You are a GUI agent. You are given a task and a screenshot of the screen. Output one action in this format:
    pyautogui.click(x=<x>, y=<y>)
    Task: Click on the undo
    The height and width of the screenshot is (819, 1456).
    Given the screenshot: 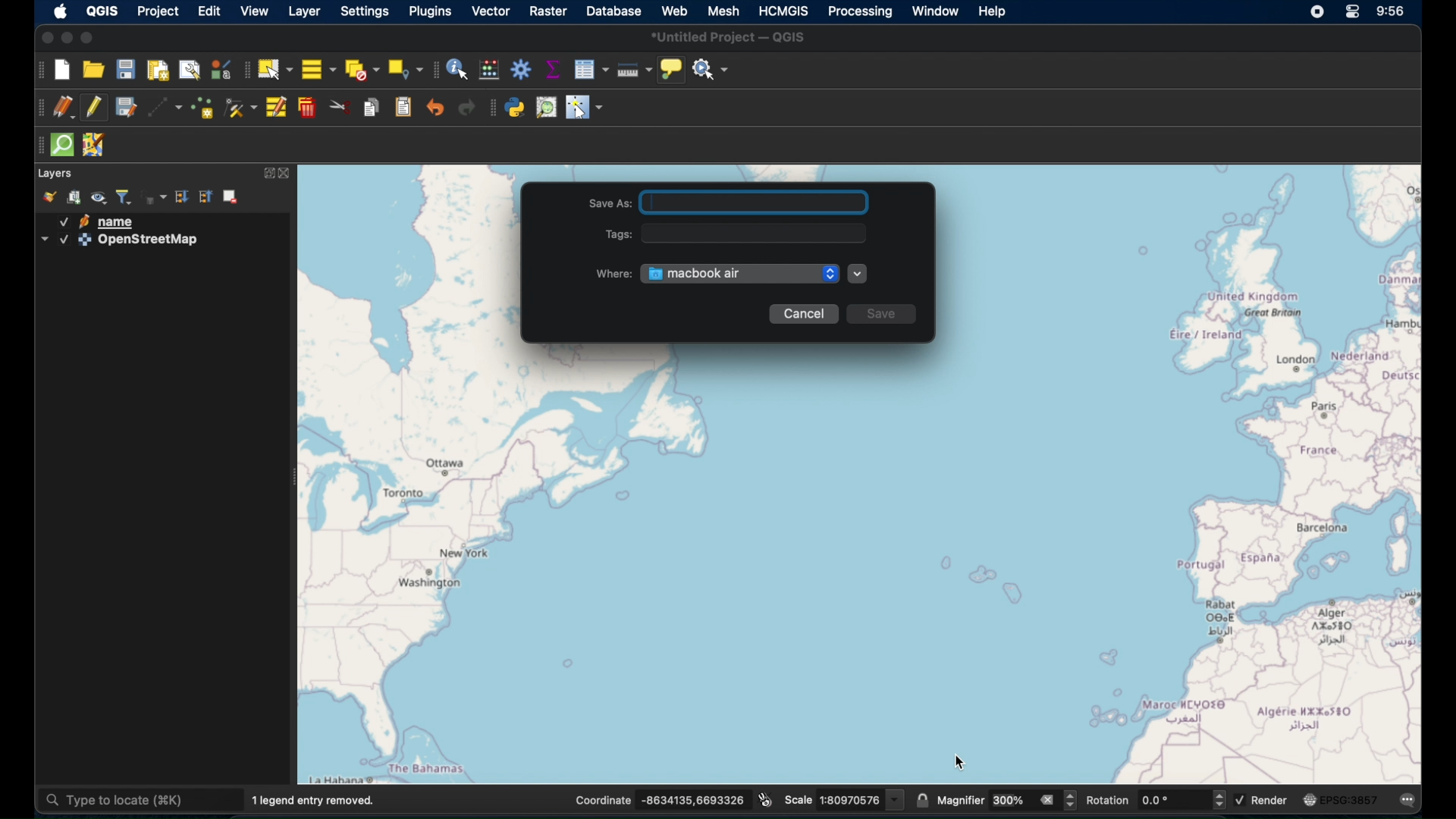 What is the action you would take?
    pyautogui.click(x=435, y=107)
    